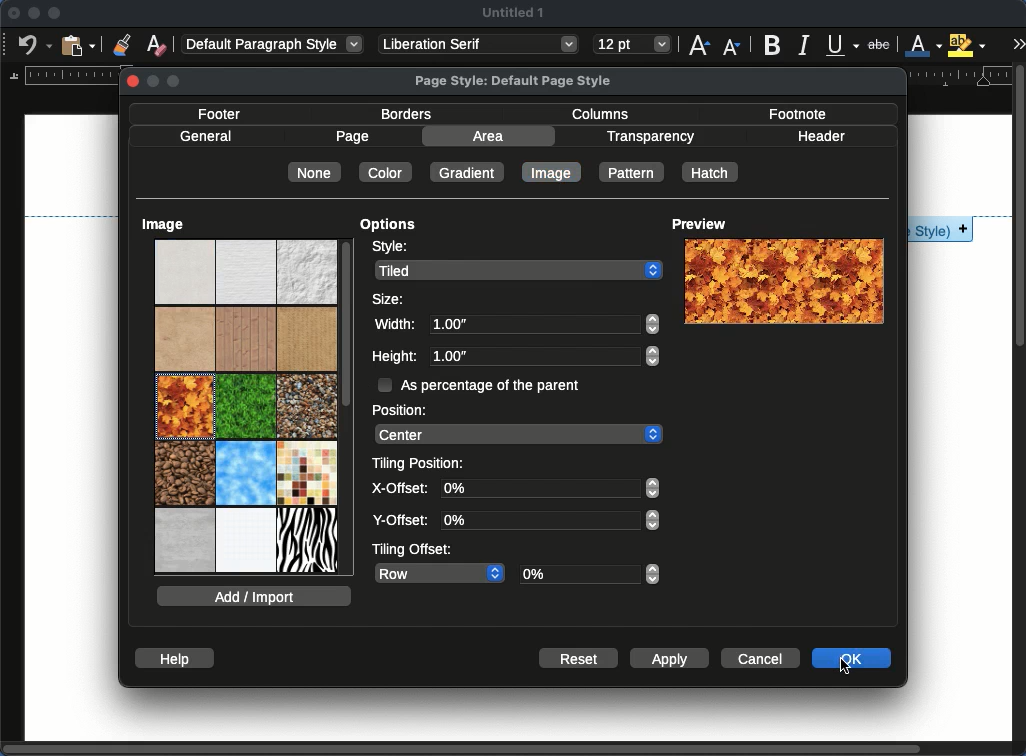 This screenshot has width=1026, height=756. I want to click on undo, so click(32, 46).